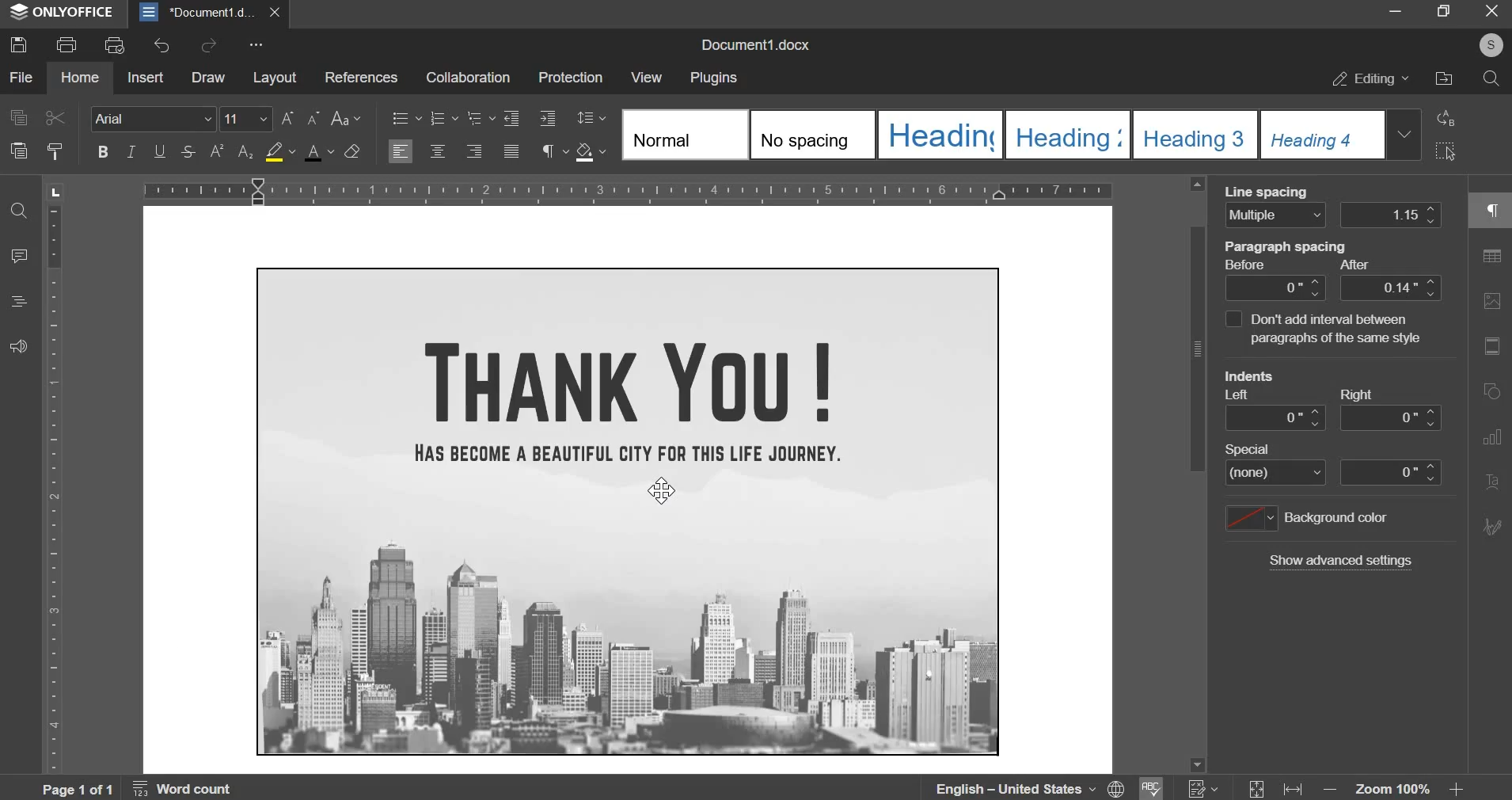 The width and height of the screenshot is (1512, 800). Describe the element at coordinates (185, 787) in the screenshot. I see `Word Count` at that location.